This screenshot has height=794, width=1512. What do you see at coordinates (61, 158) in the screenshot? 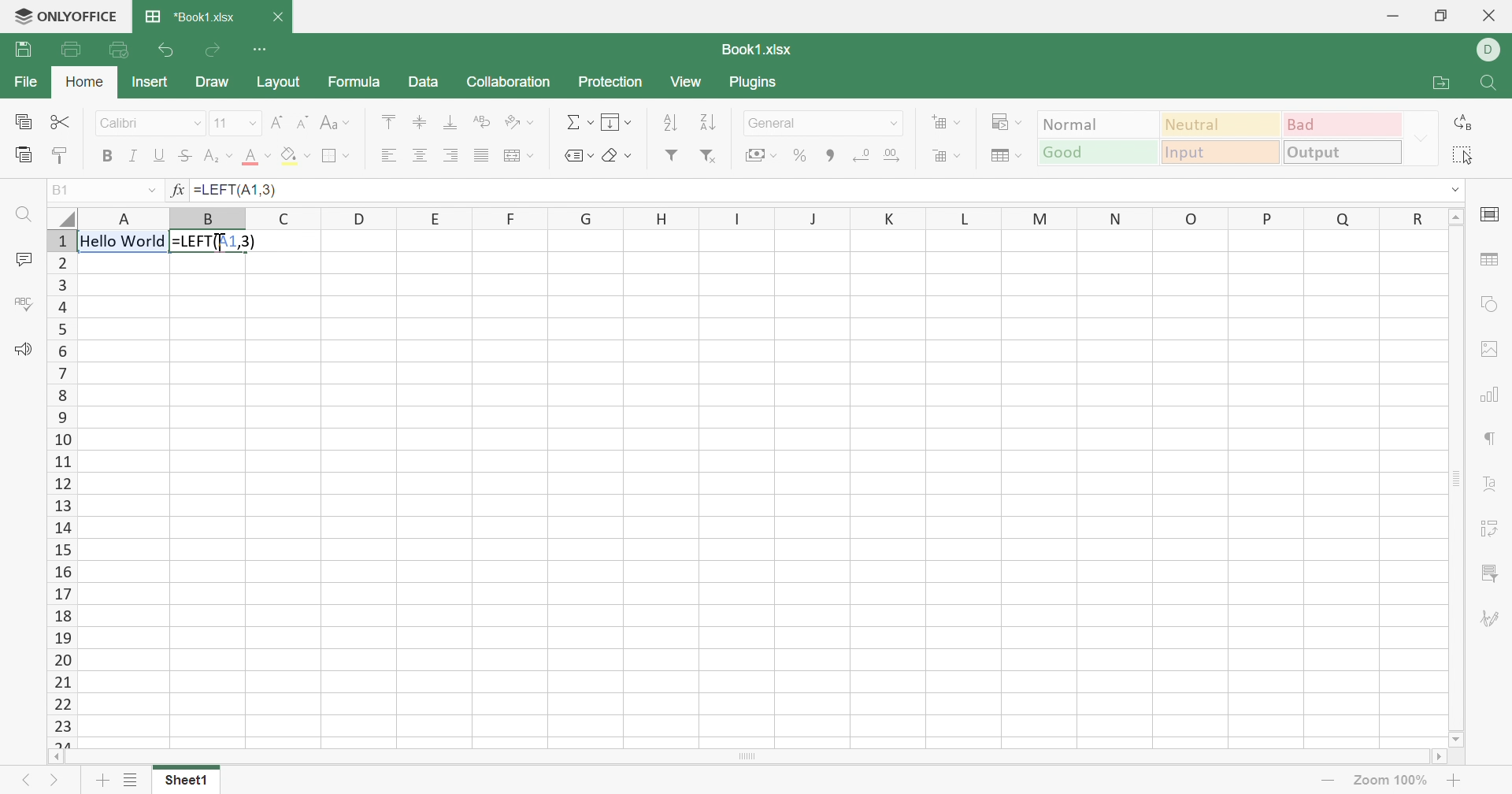
I see `Copy style` at bounding box center [61, 158].